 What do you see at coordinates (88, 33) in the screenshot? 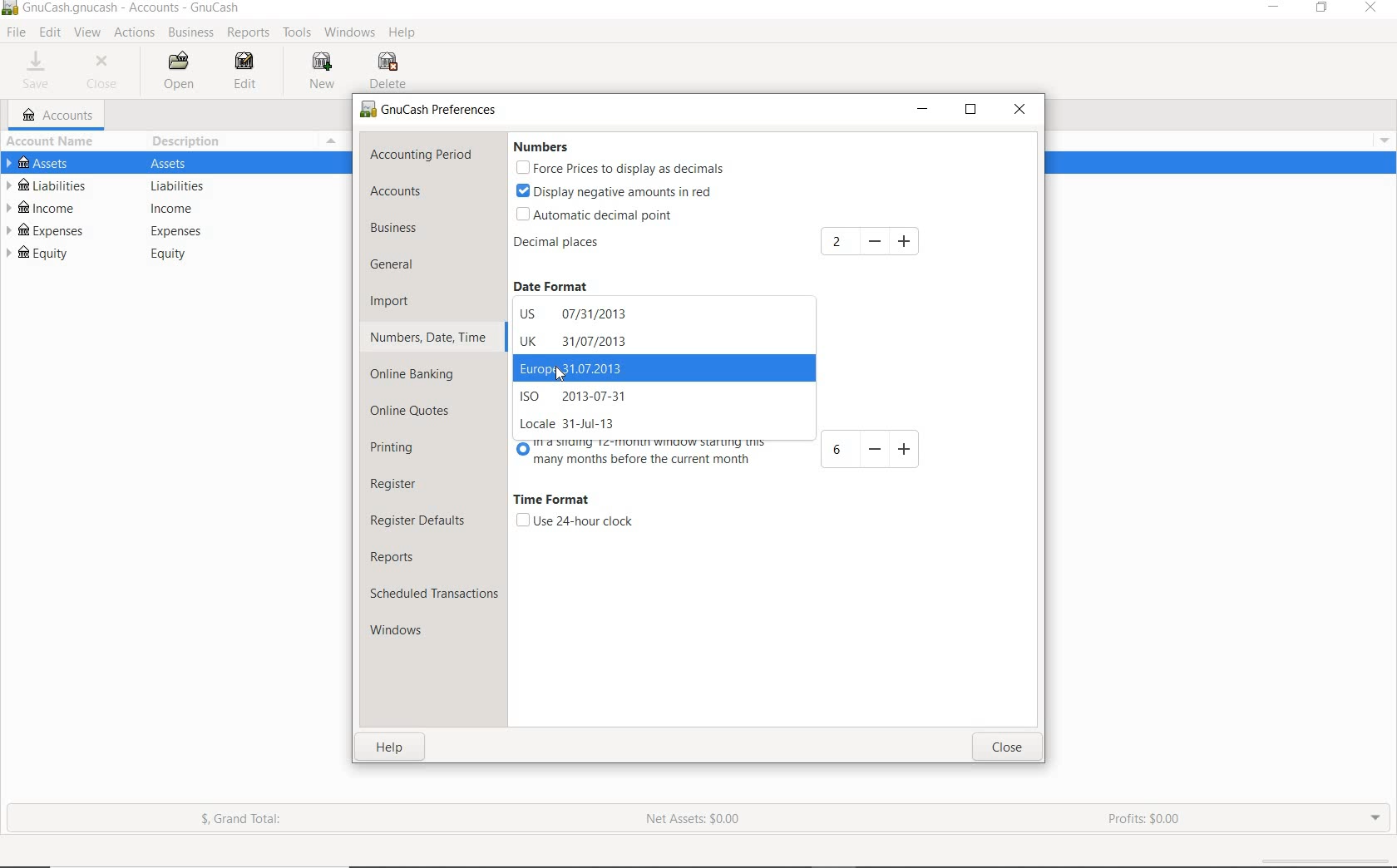
I see `VIEW` at bounding box center [88, 33].